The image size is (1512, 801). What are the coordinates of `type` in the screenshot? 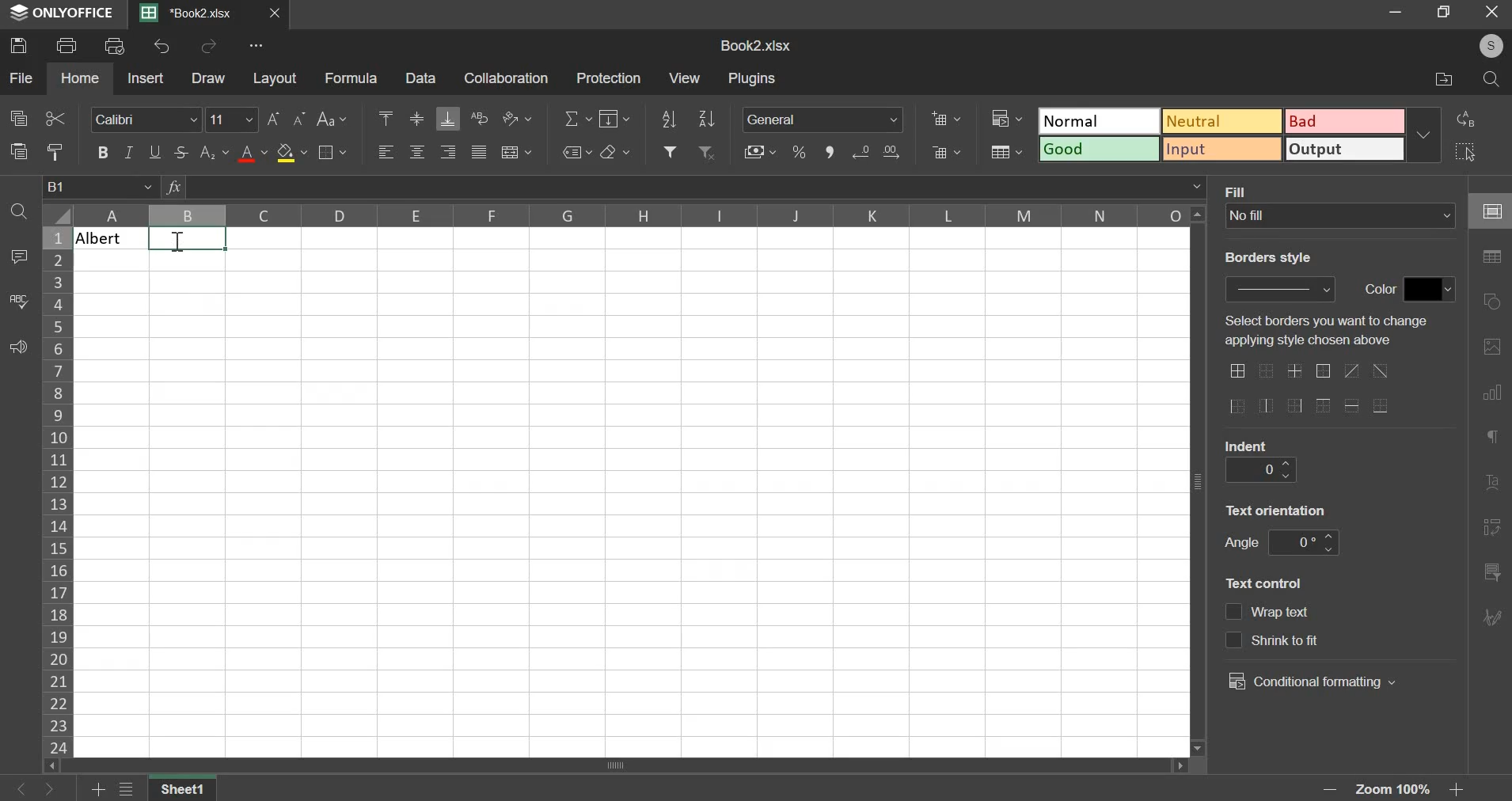 It's located at (1241, 134).